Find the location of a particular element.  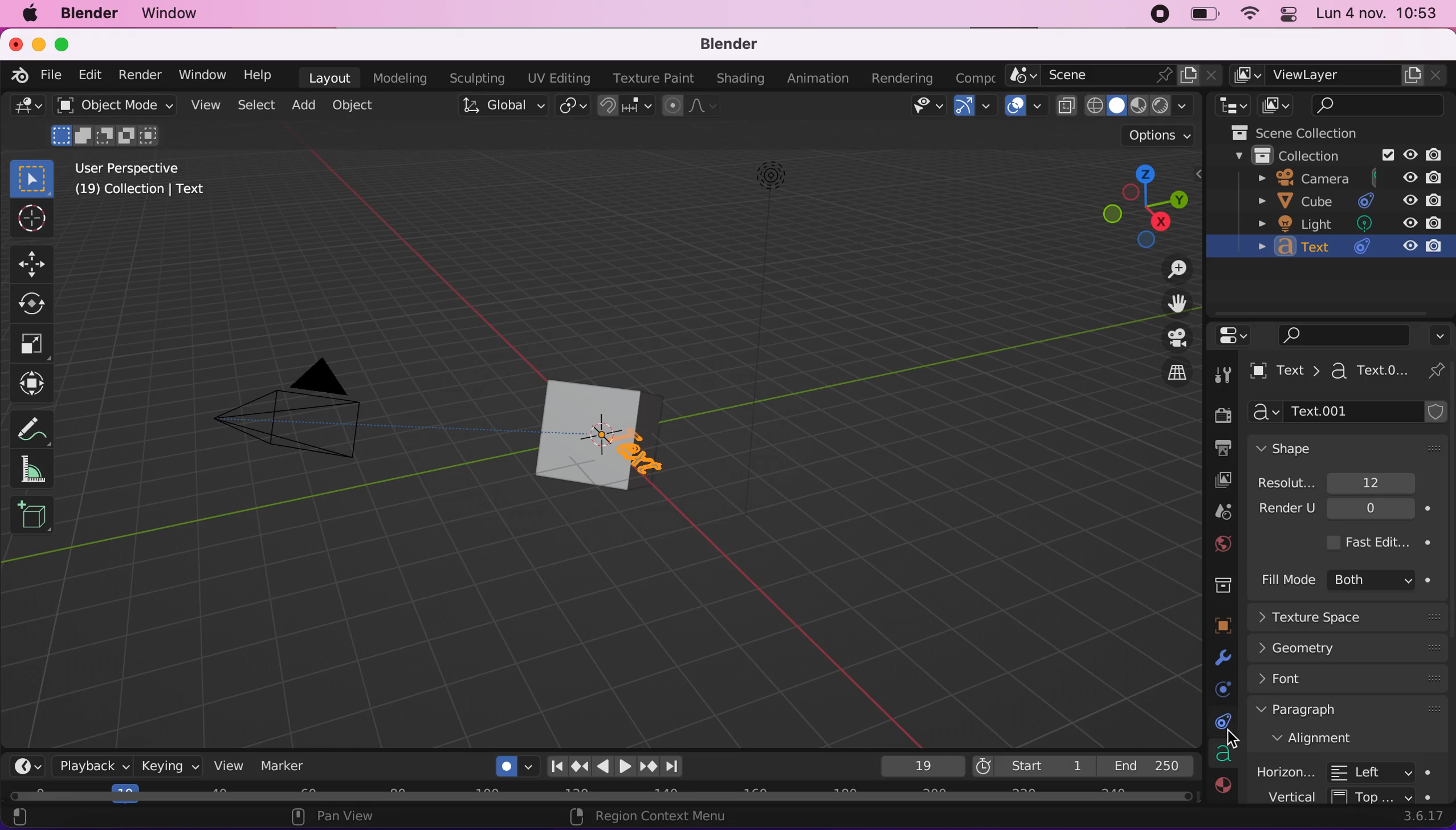

panel control is located at coordinates (1286, 15).